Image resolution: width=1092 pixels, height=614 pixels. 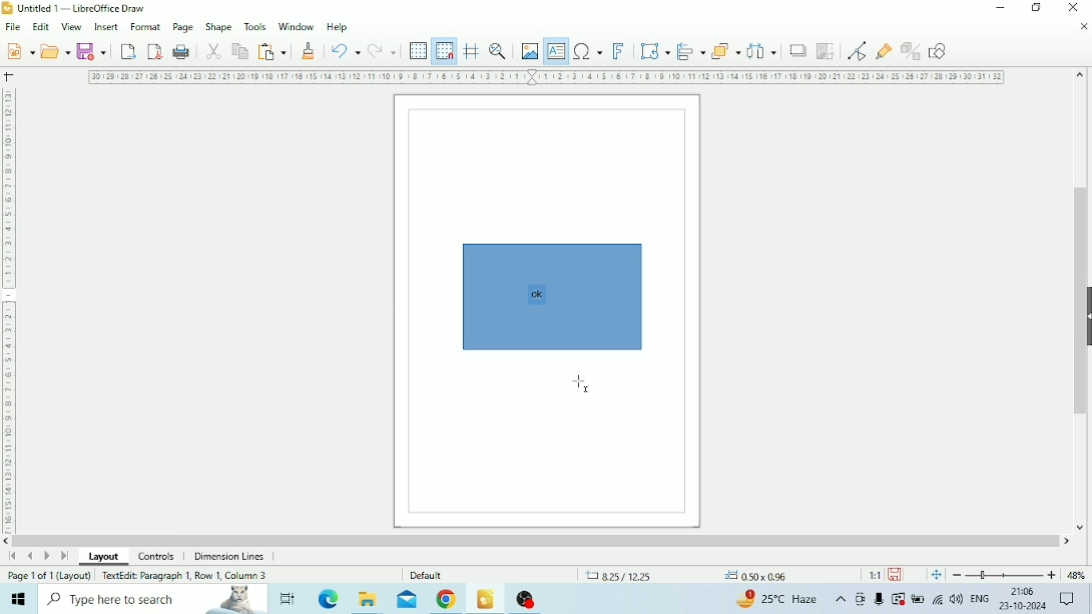 What do you see at coordinates (896, 574) in the screenshot?
I see `Save` at bounding box center [896, 574].